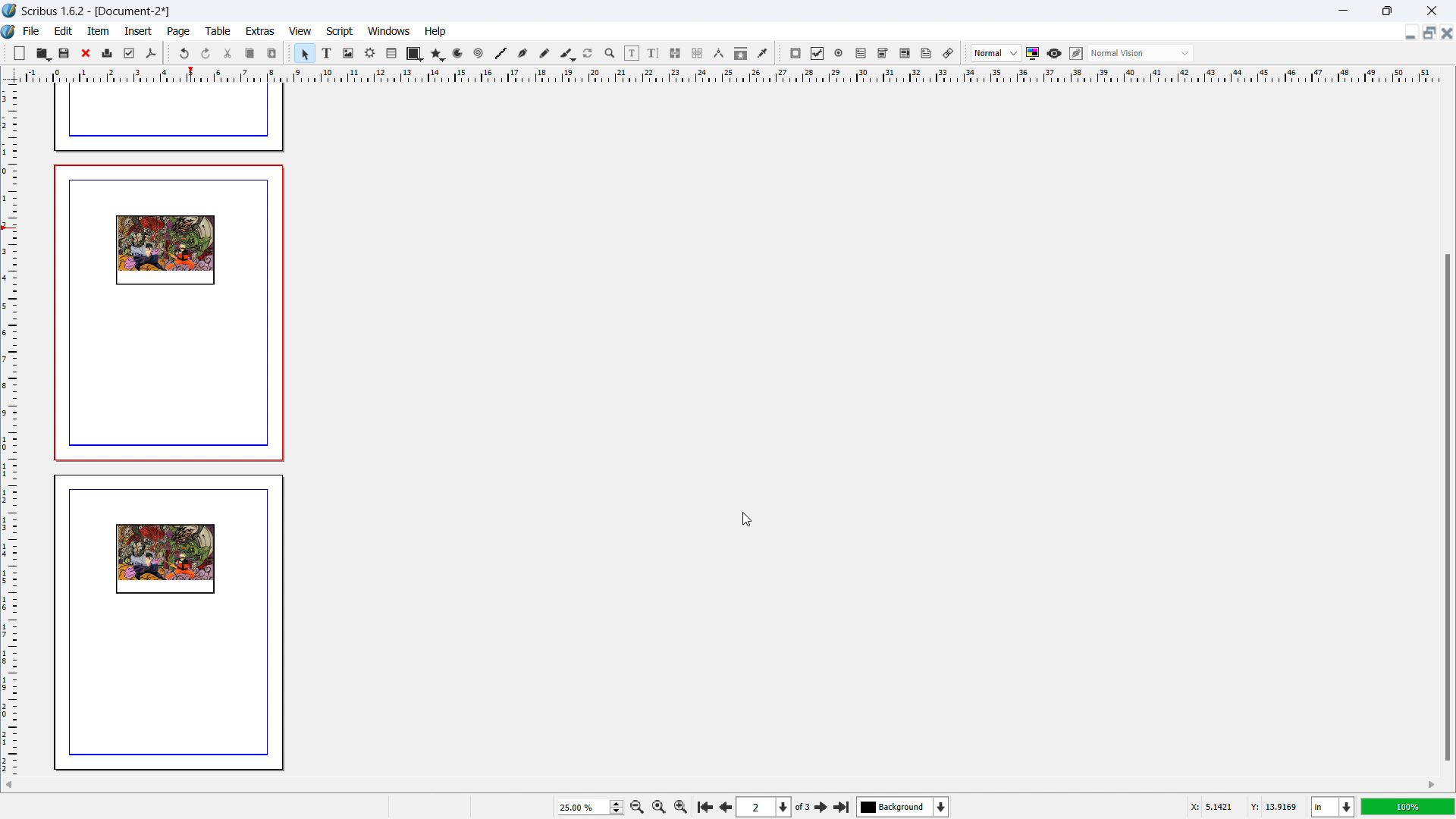  I want to click on next page, so click(723, 805).